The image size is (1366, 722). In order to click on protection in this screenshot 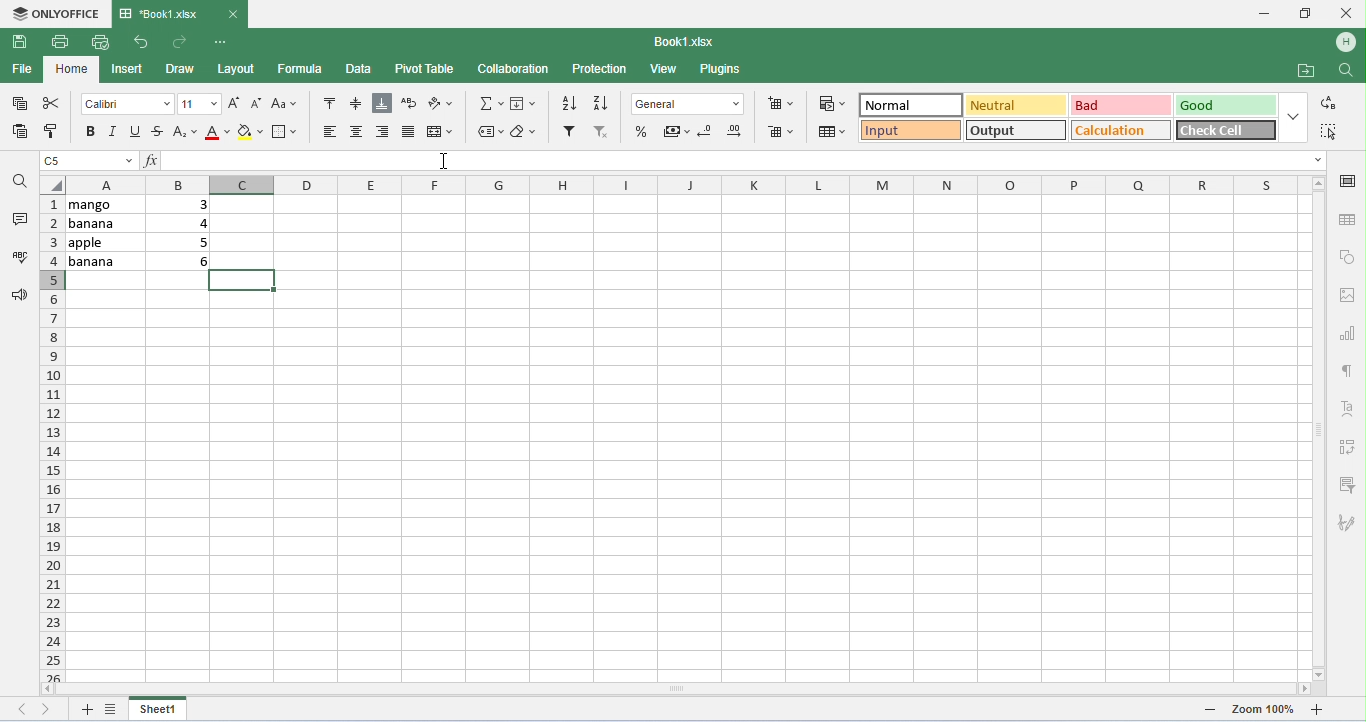, I will do `click(599, 69)`.